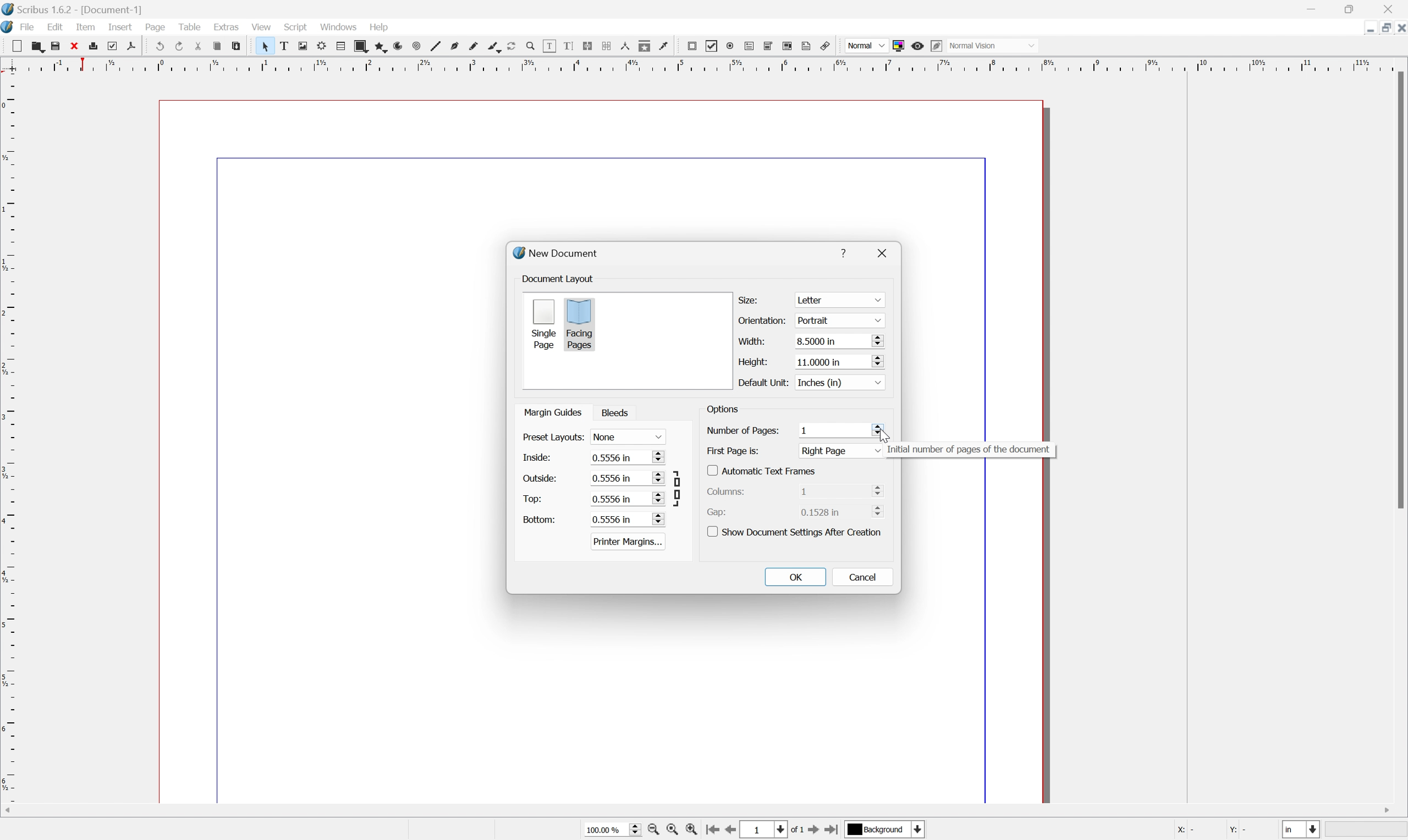 Image resolution: width=1408 pixels, height=840 pixels. What do you see at coordinates (378, 46) in the screenshot?
I see `Polygon` at bounding box center [378, 46].